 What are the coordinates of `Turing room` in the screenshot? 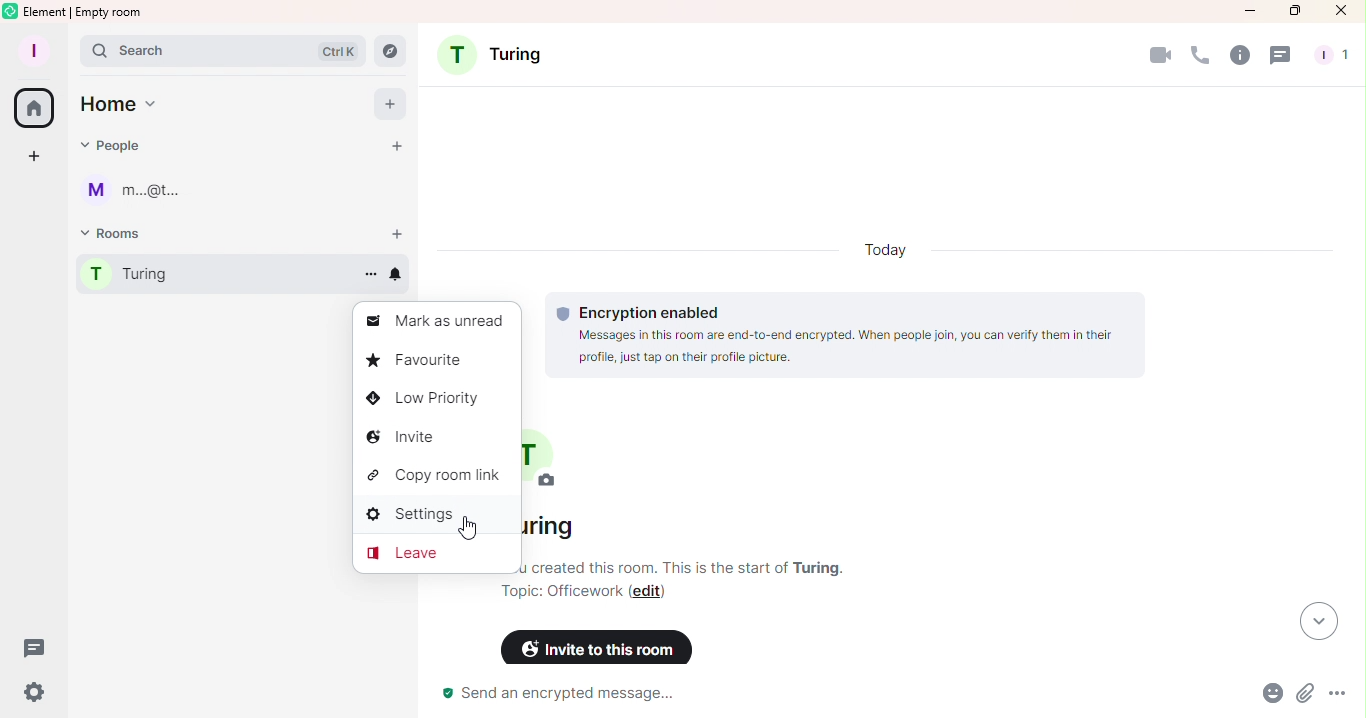 It's located at (544, 460).